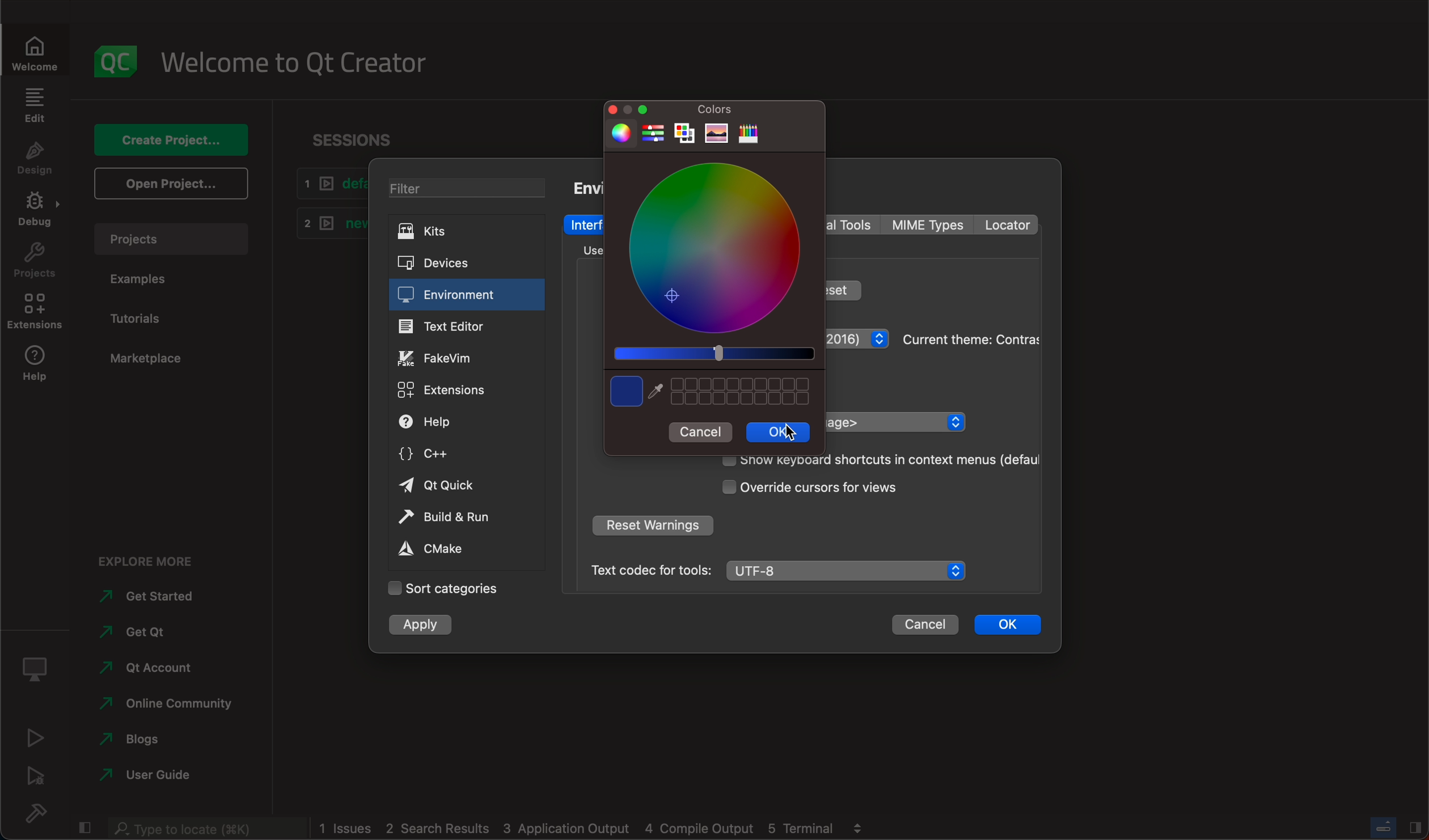  What do you see at coordinates (443, 589) in the screenshot?
I see `categories` at bounding box center [443, 589].